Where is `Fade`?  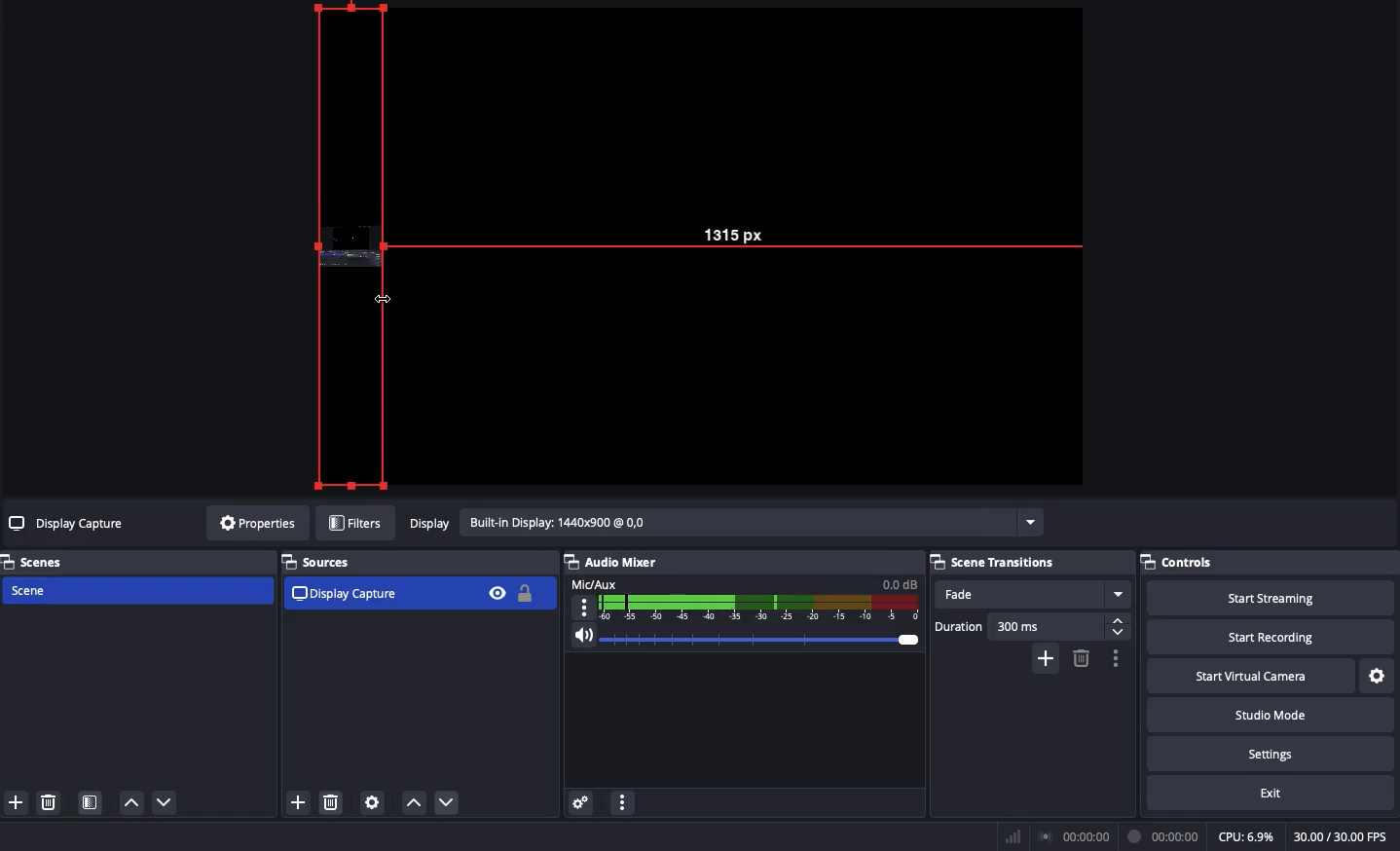 Fade is located at coordinates (1032, 595).